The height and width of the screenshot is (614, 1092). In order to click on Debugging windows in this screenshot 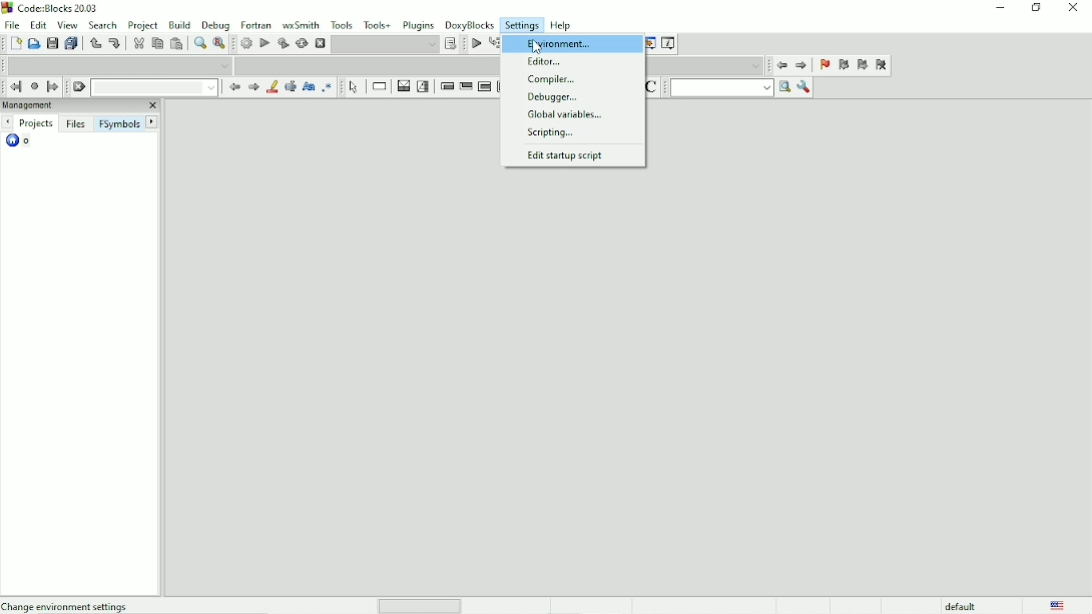, I will do `click(648, 43)`.